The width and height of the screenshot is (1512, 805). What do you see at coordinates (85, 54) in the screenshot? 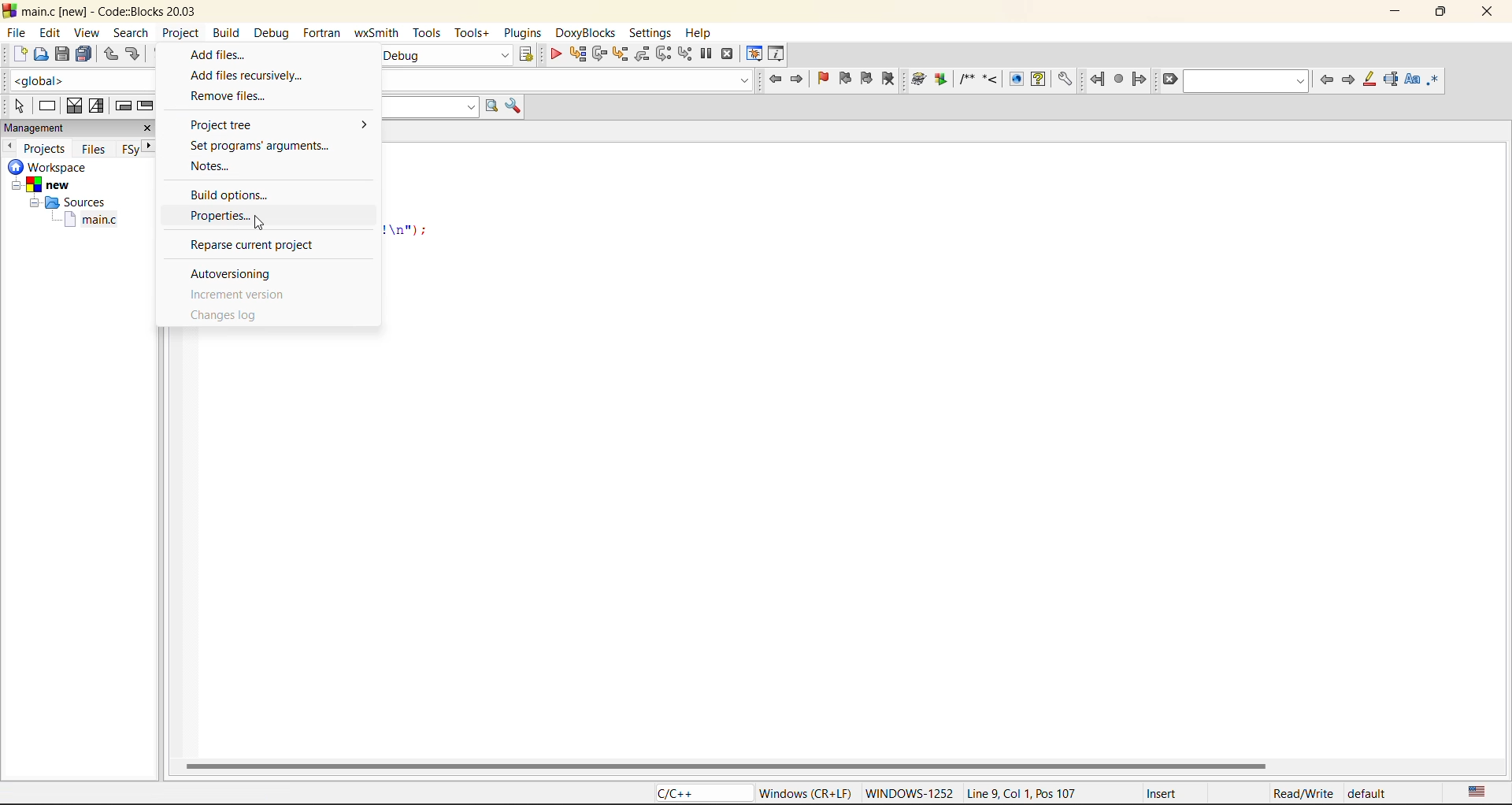
I see `save everything` at bounding box center [85, 54].